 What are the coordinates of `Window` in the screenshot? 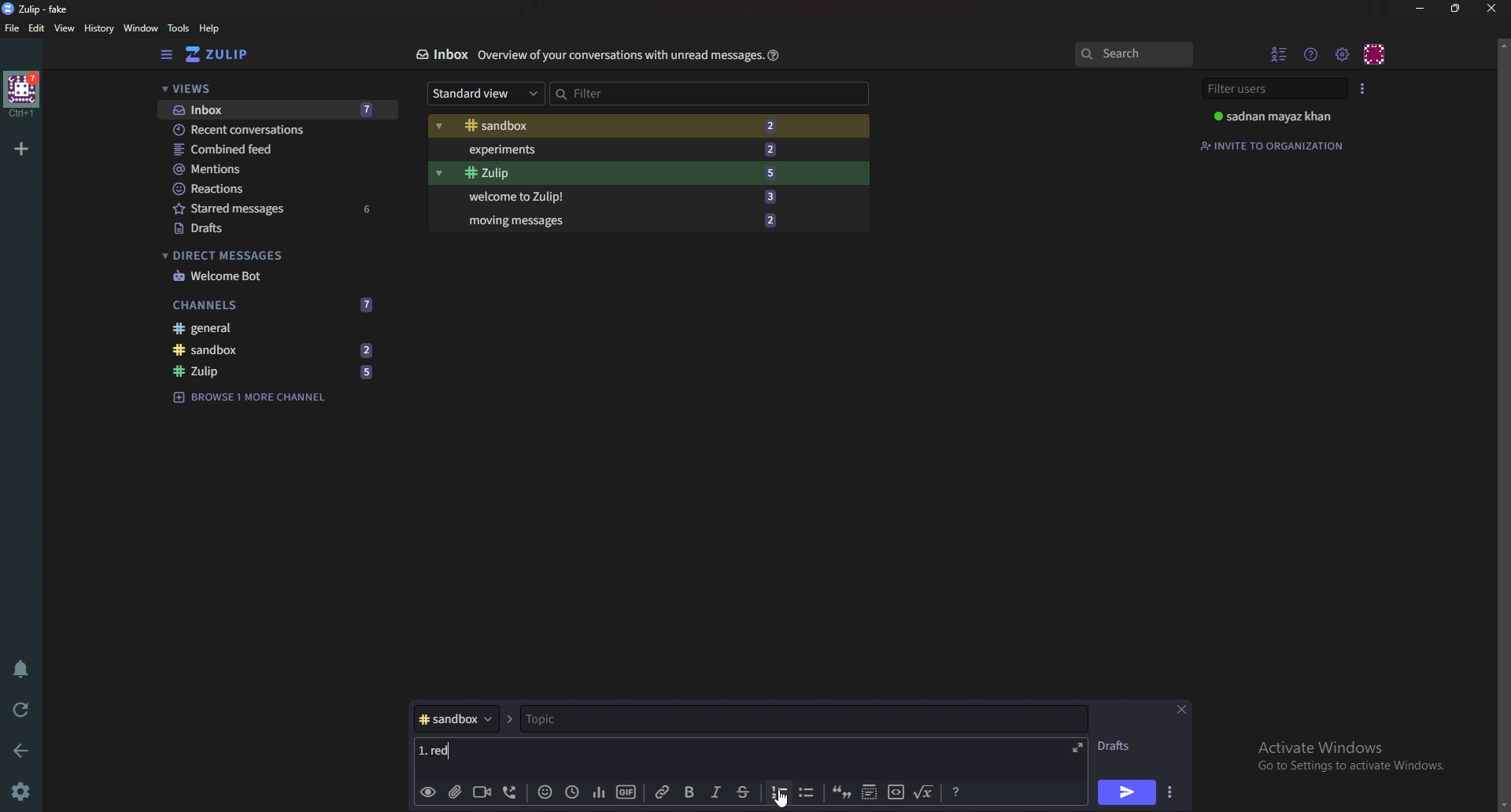 It's located at (139, 28).